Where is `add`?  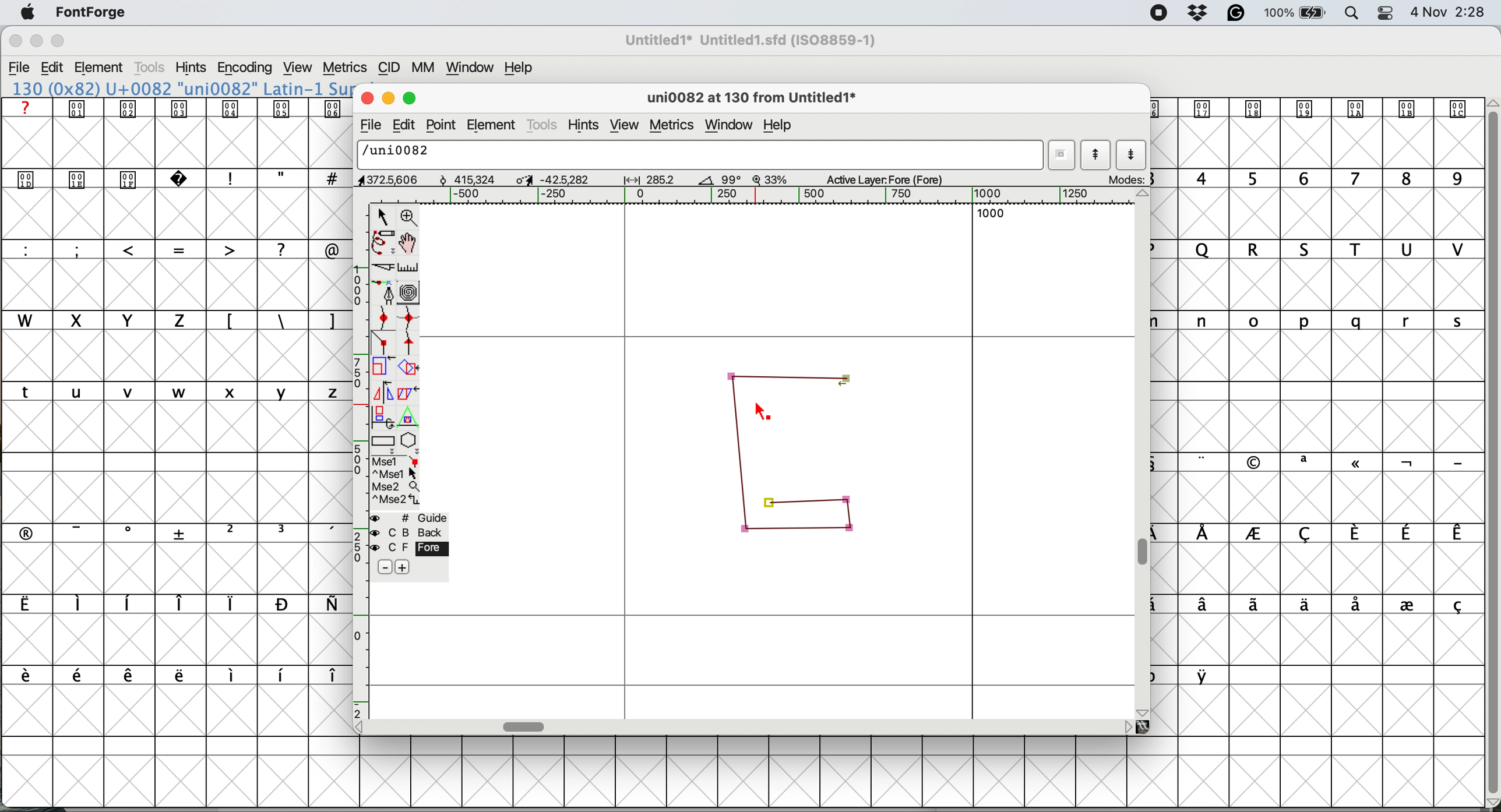 add is located at coordinates (401, 567).